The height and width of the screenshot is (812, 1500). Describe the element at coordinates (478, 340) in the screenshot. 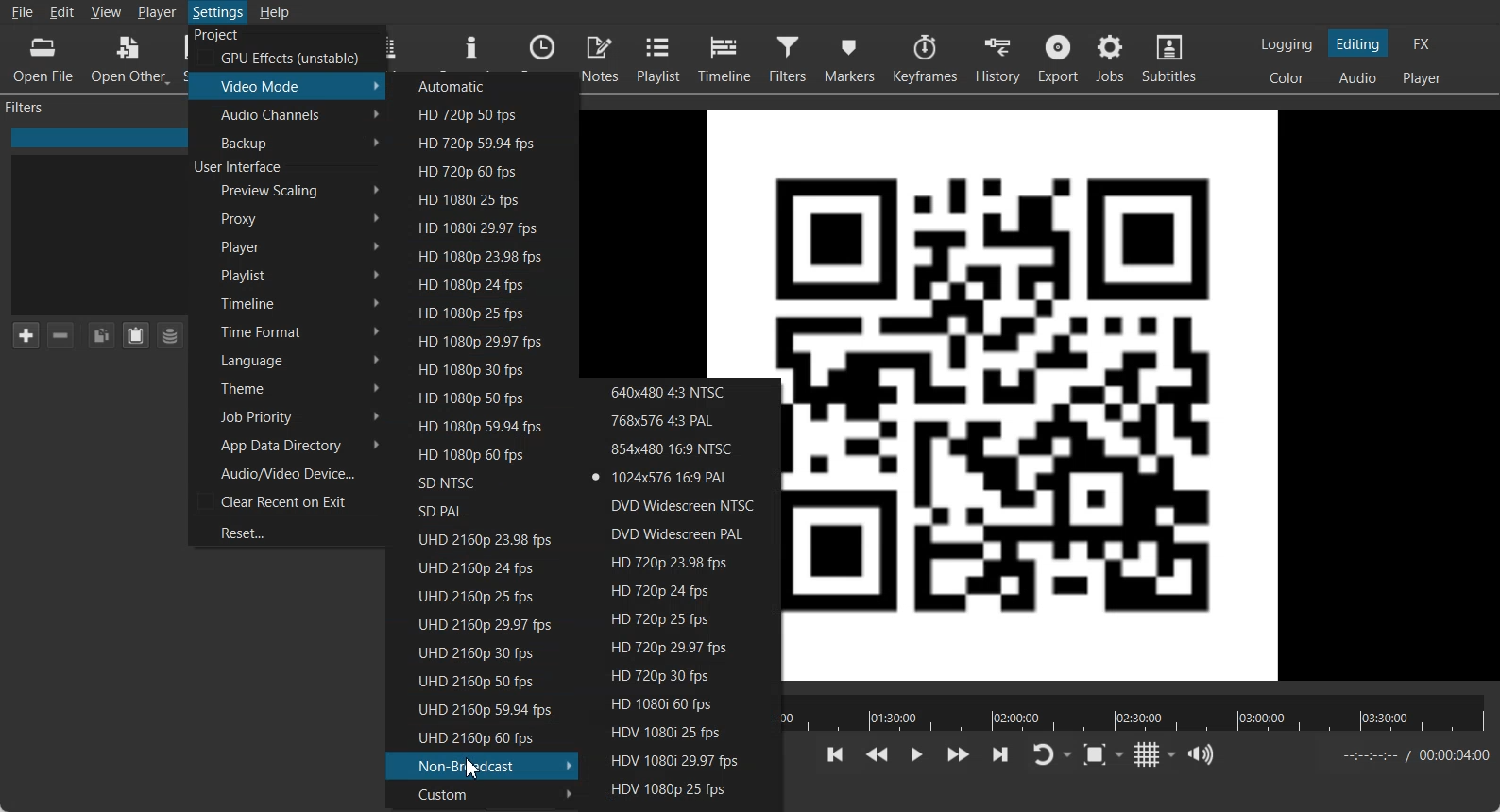

I see `HD 1080p 29.97 fps` at that location.